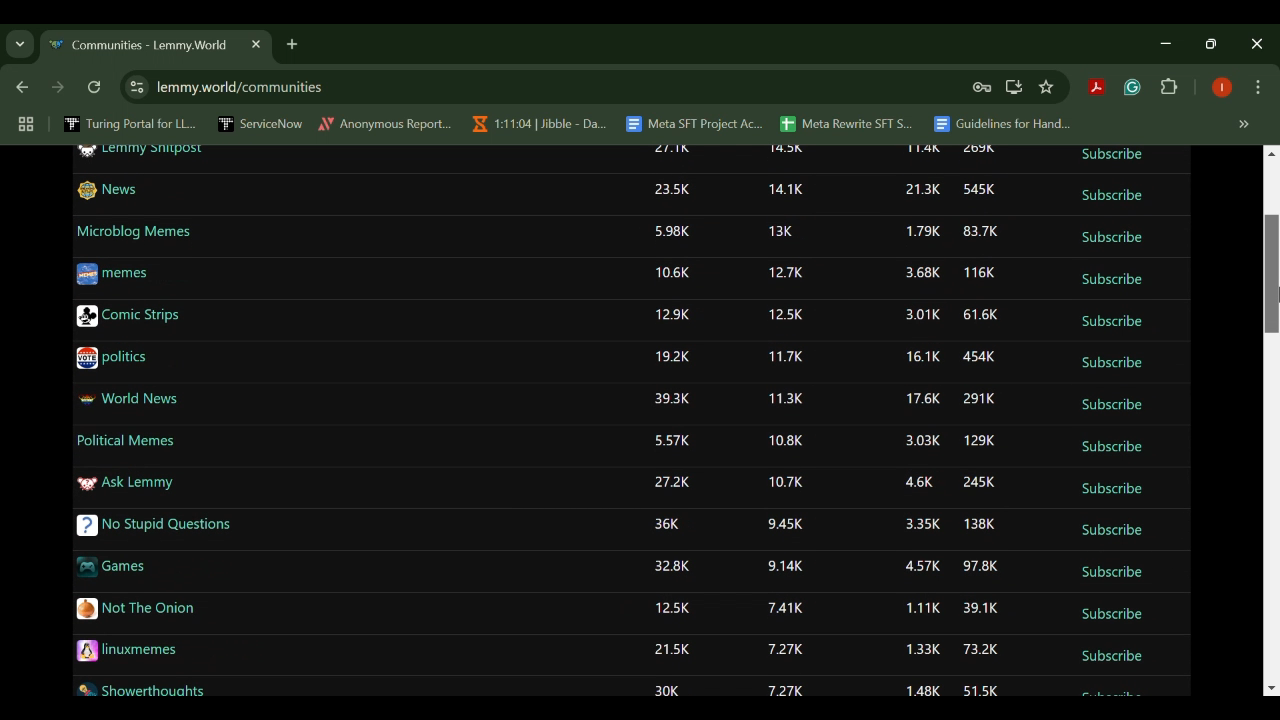 Image resolution: width=1280 pixels, height=720 pixels. I want to click on 27.2K, so click(670, 484).